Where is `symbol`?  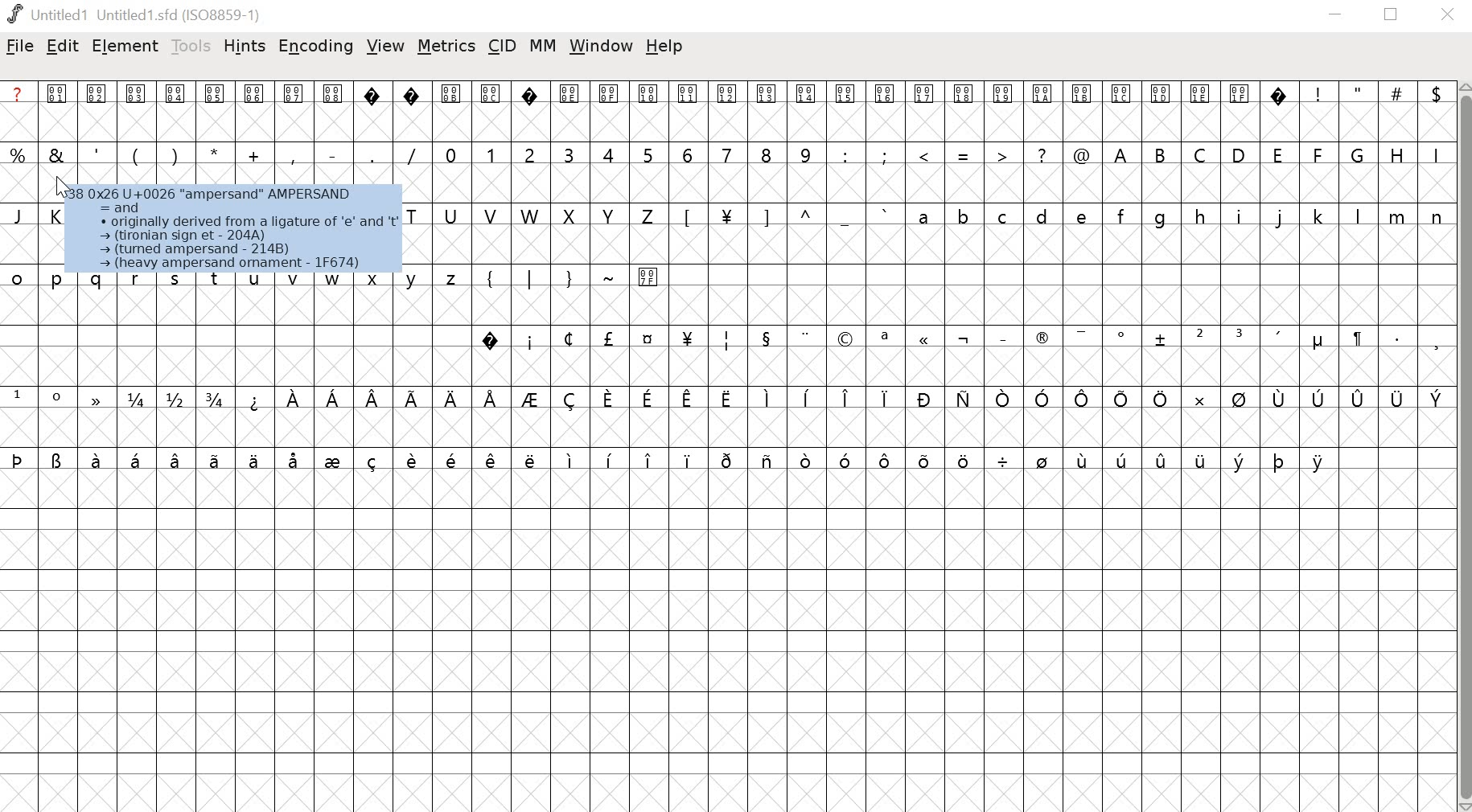 symbol is located at coordinates (886, 459).